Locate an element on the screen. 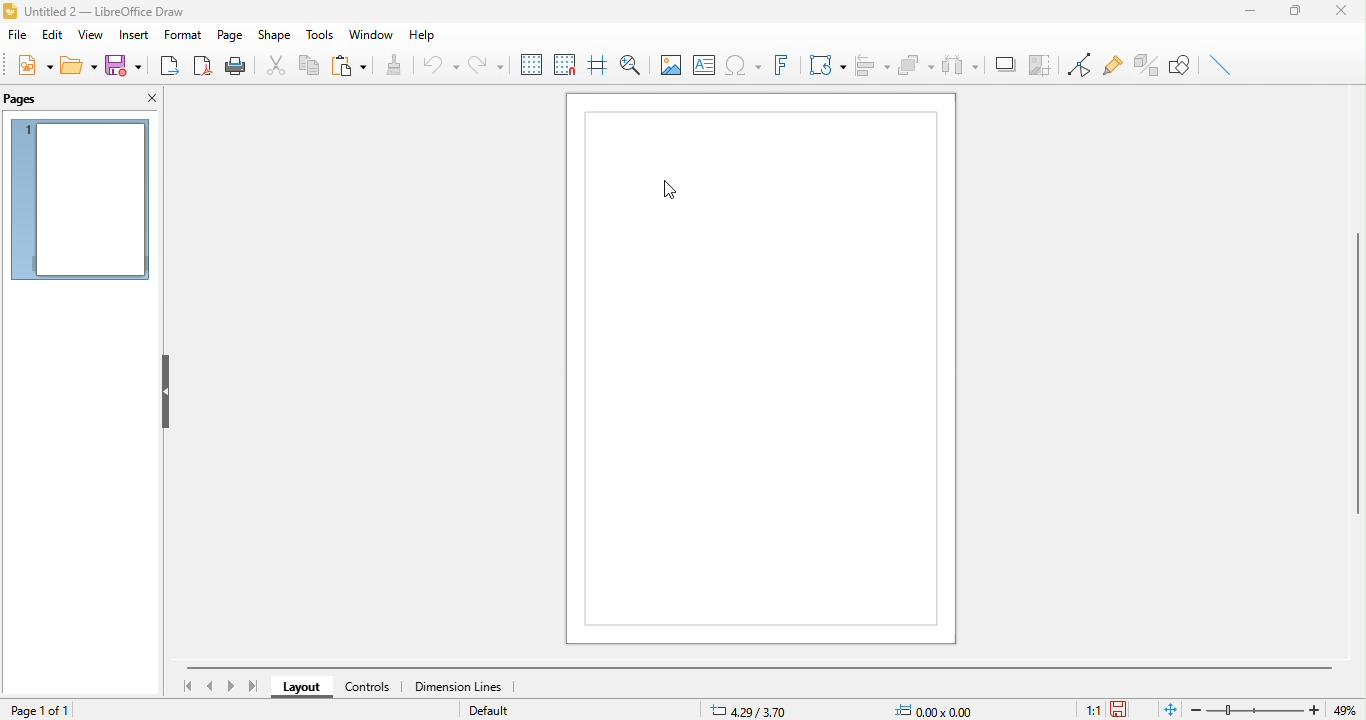  special character is located at coordinates (742, 65).